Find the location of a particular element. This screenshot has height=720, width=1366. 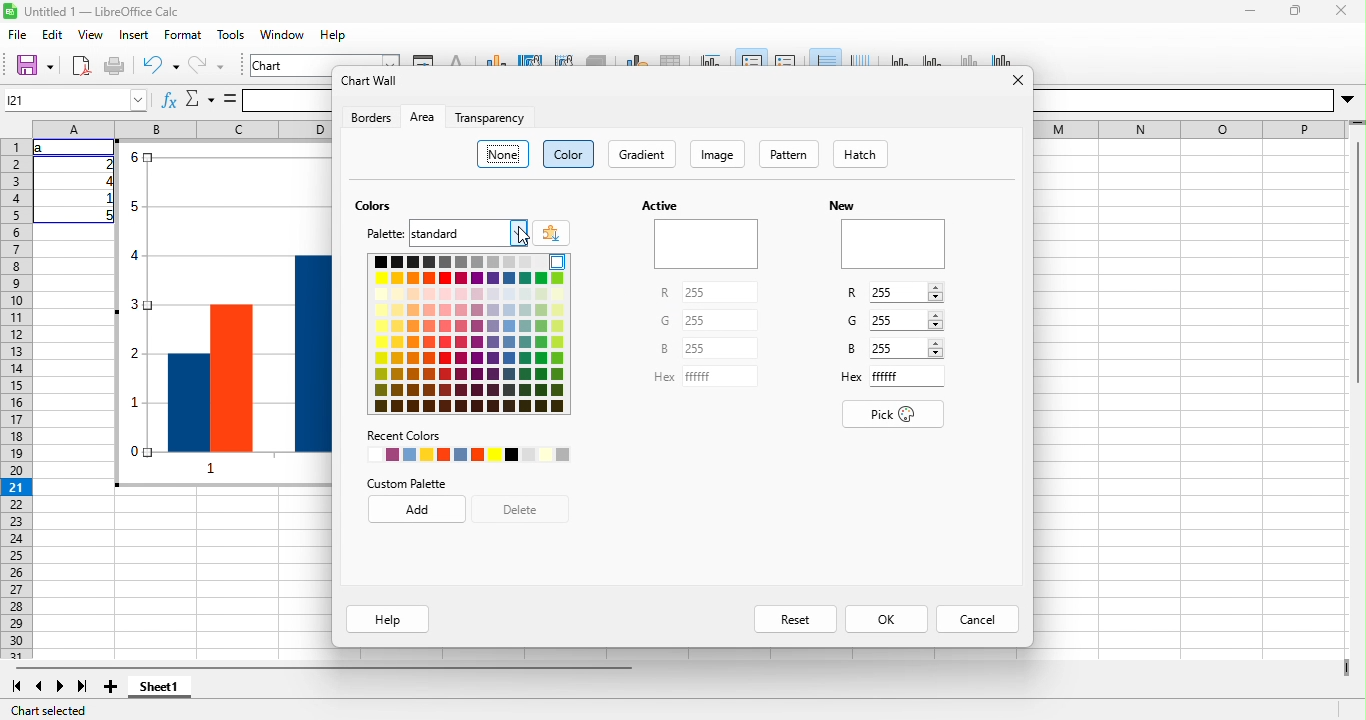

chart selected is located at coordinates (48, 711).